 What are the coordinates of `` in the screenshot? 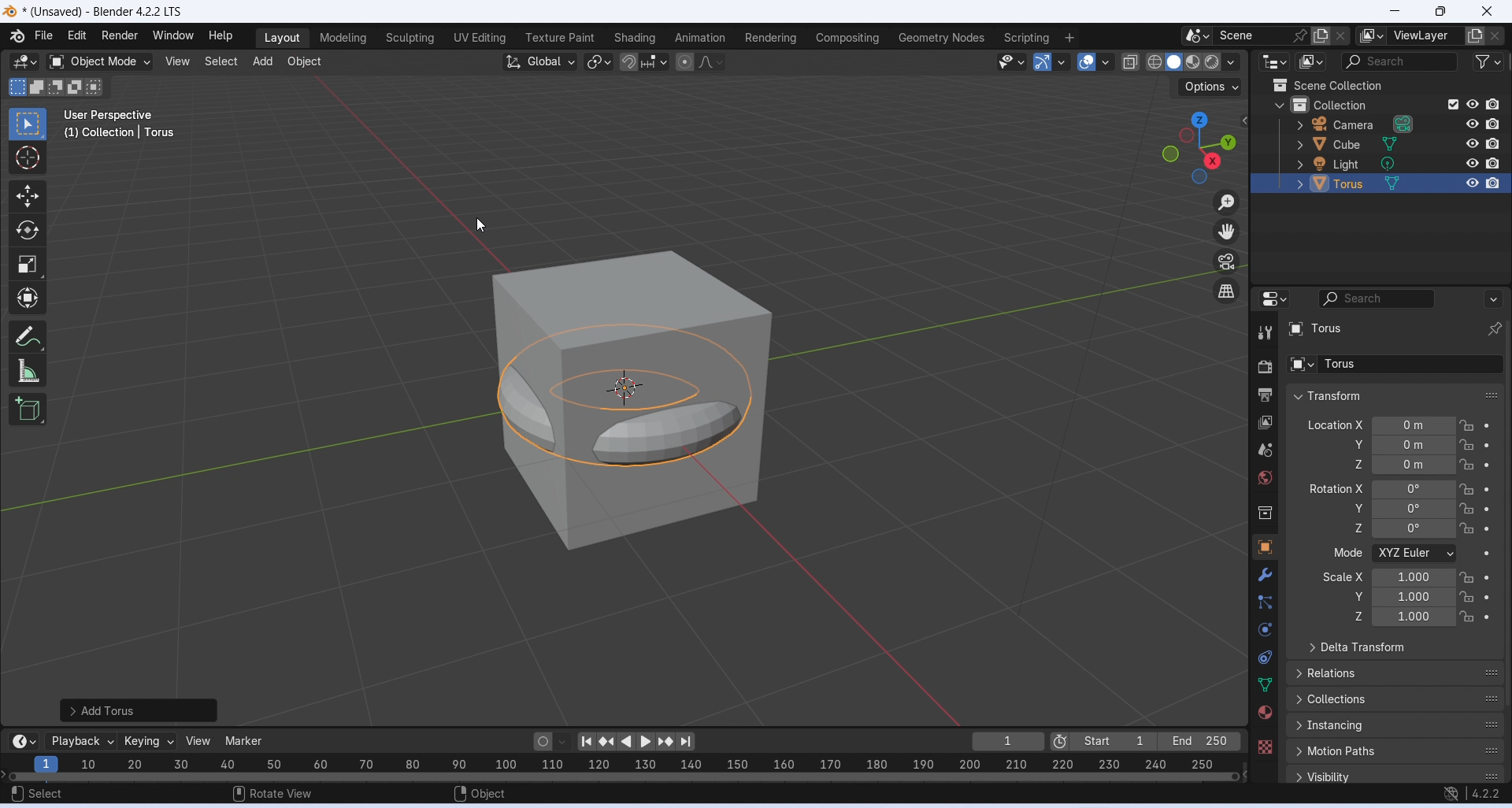 It's located at (1267, 450).